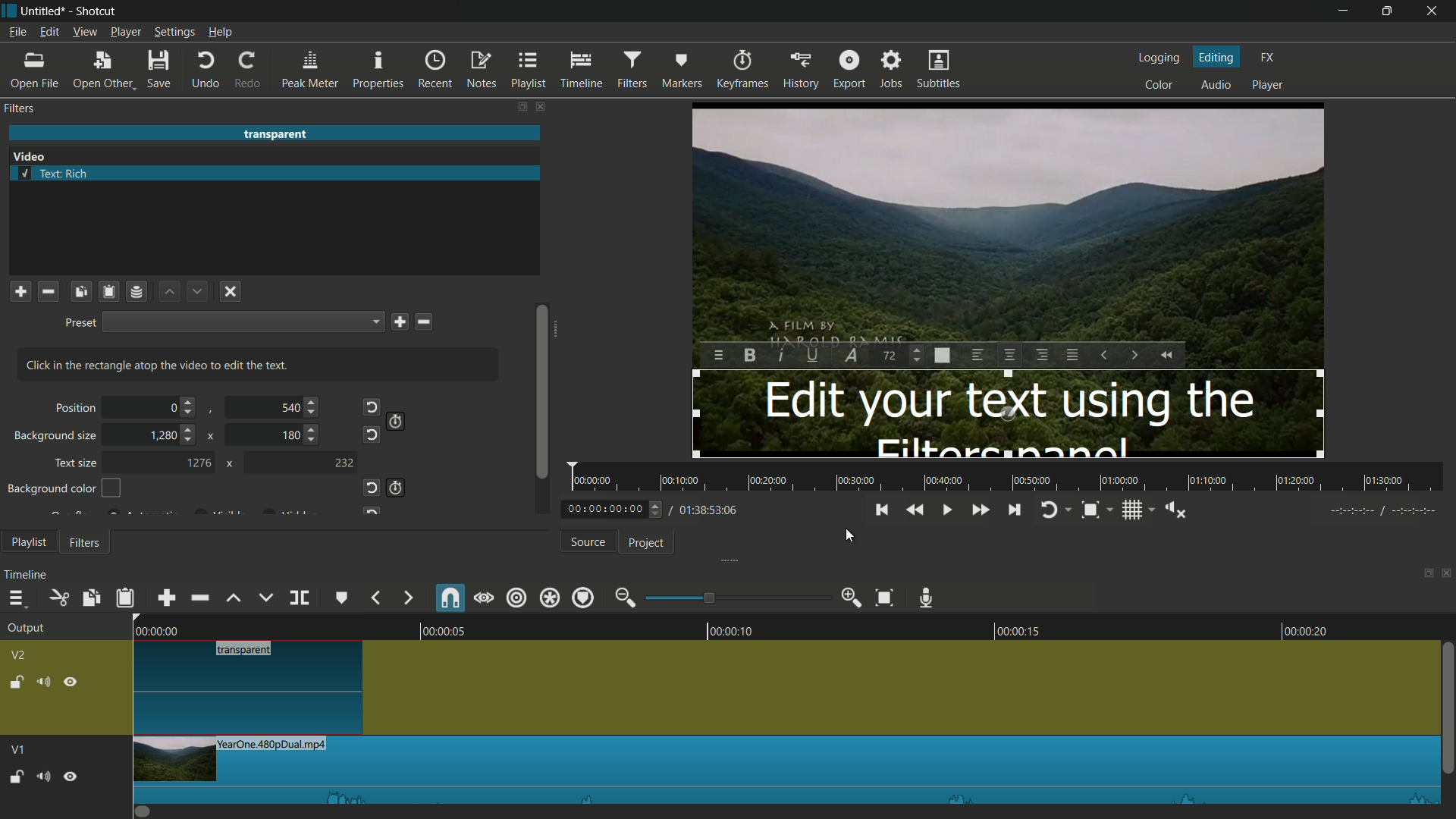 The image size is (1456, 819). Describe the element at coordinates (49, 291) in the screenshot. I see `remove a filter` at that location.